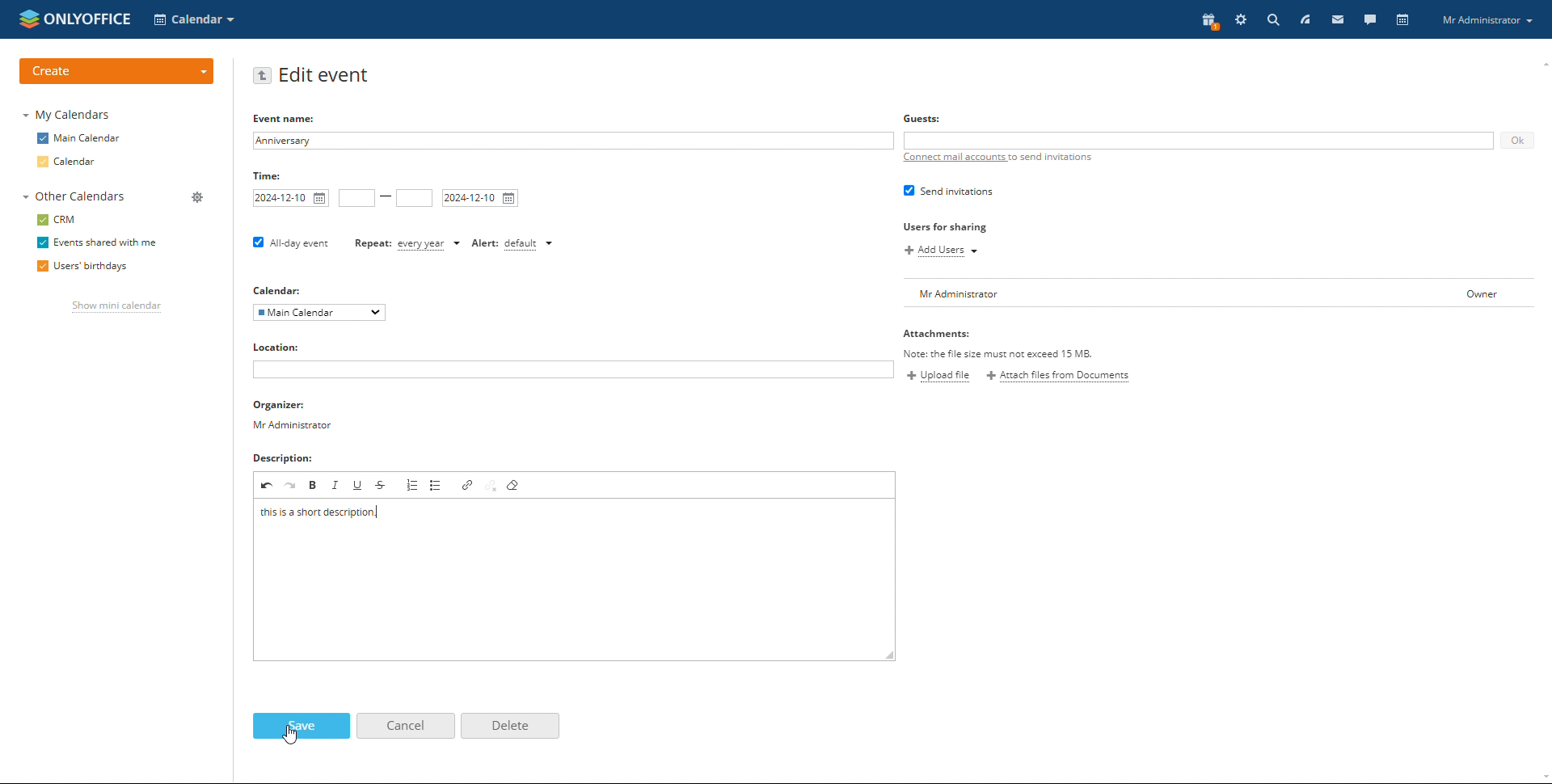 The image size is (1552, 784). Describe the element at coordinates (571, 141) in the screenshot. I see `add event name` at that location.